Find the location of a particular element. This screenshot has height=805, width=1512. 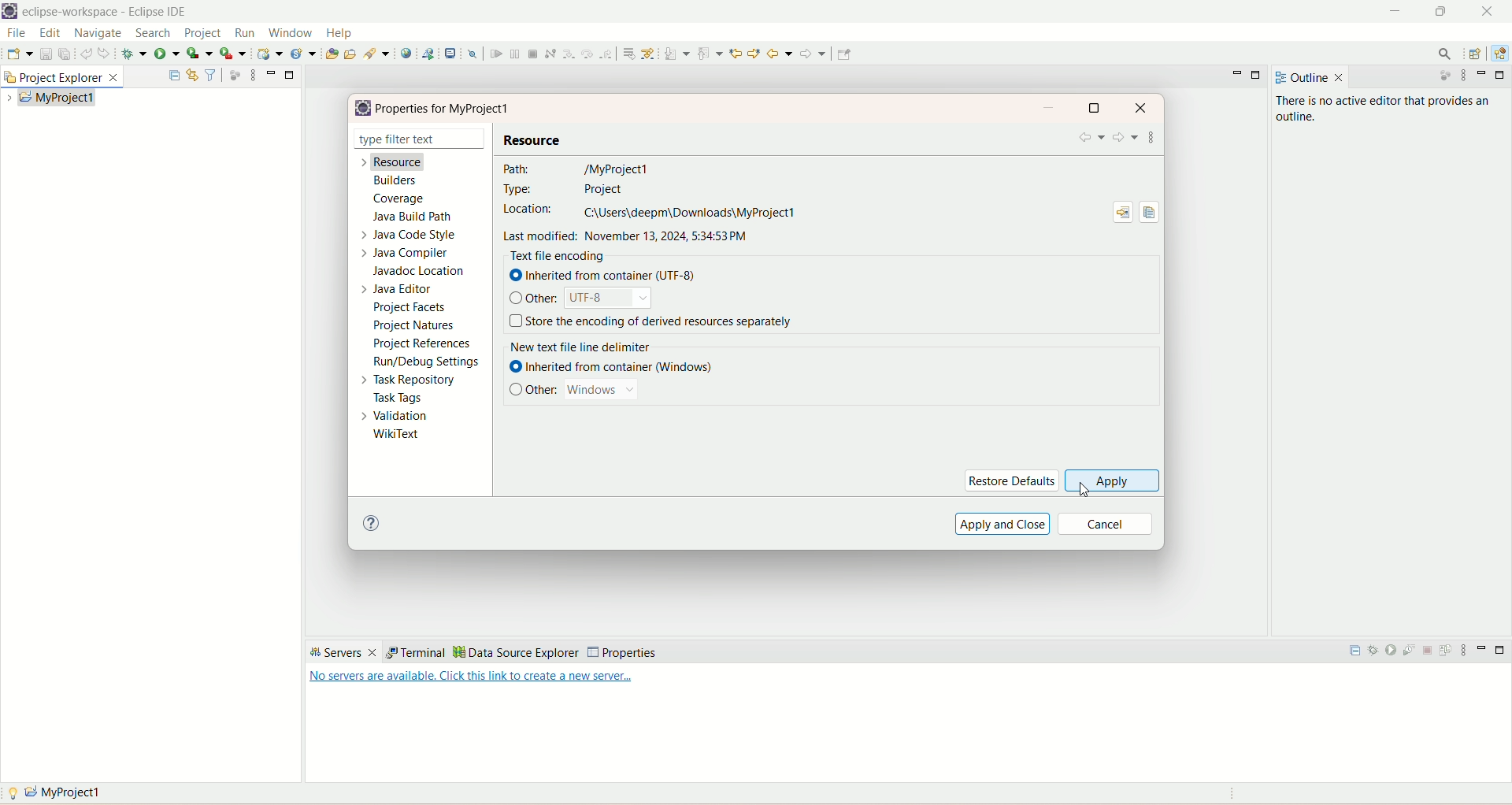

edit is located at coordinates (48, 33).